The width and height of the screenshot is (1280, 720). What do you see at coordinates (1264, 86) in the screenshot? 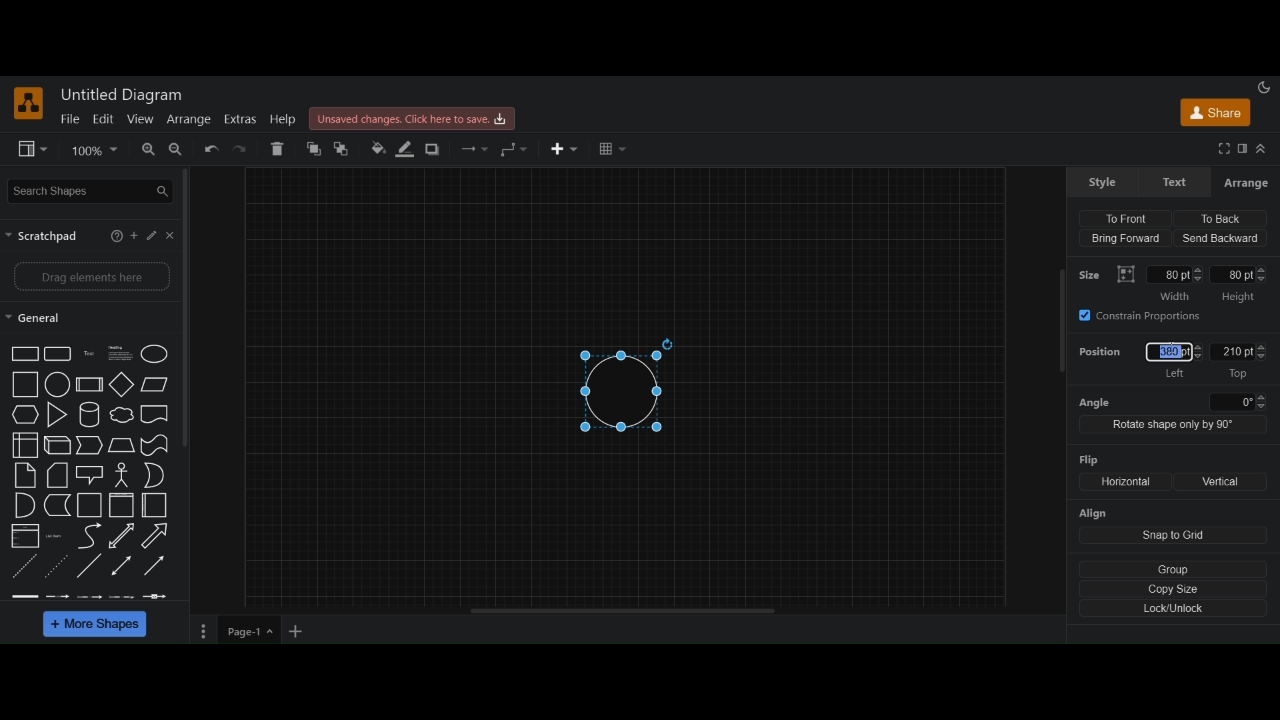
I see `appearance` at bounding box center [1264, 86].